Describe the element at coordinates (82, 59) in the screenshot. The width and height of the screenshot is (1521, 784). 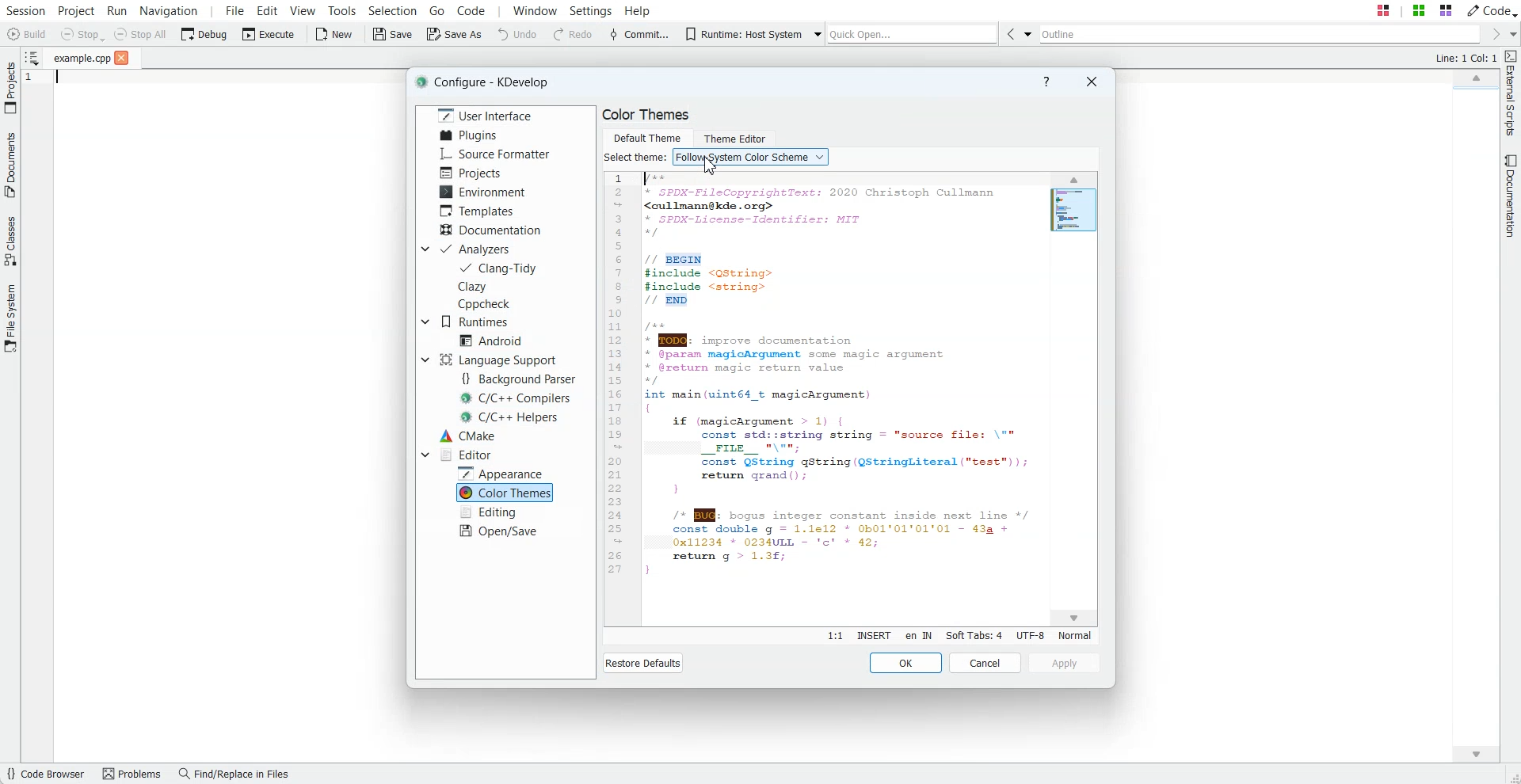
I see `File` at that location.